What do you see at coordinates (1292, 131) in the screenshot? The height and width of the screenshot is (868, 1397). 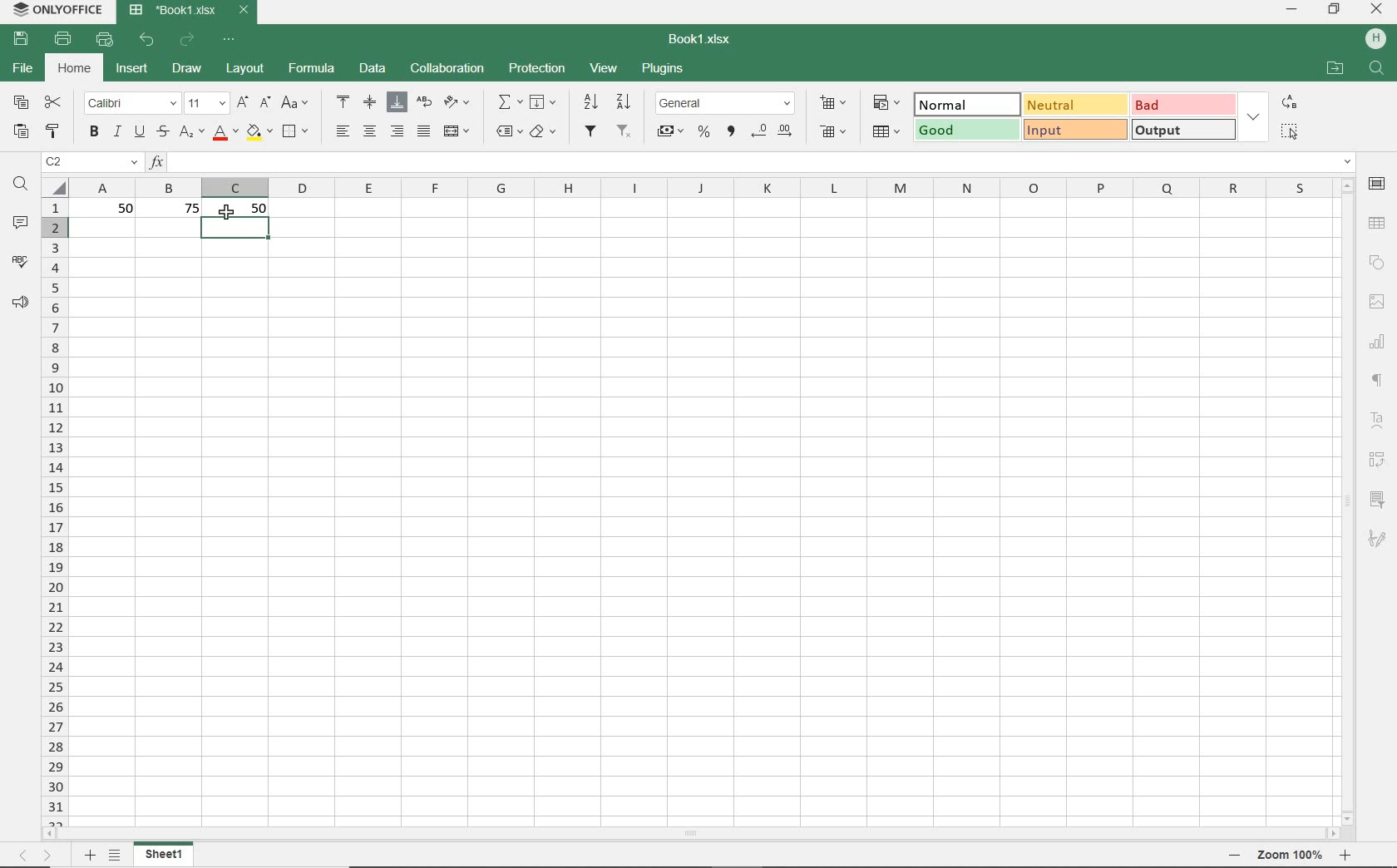 I see `select all` at bounding box center [1292, 131].